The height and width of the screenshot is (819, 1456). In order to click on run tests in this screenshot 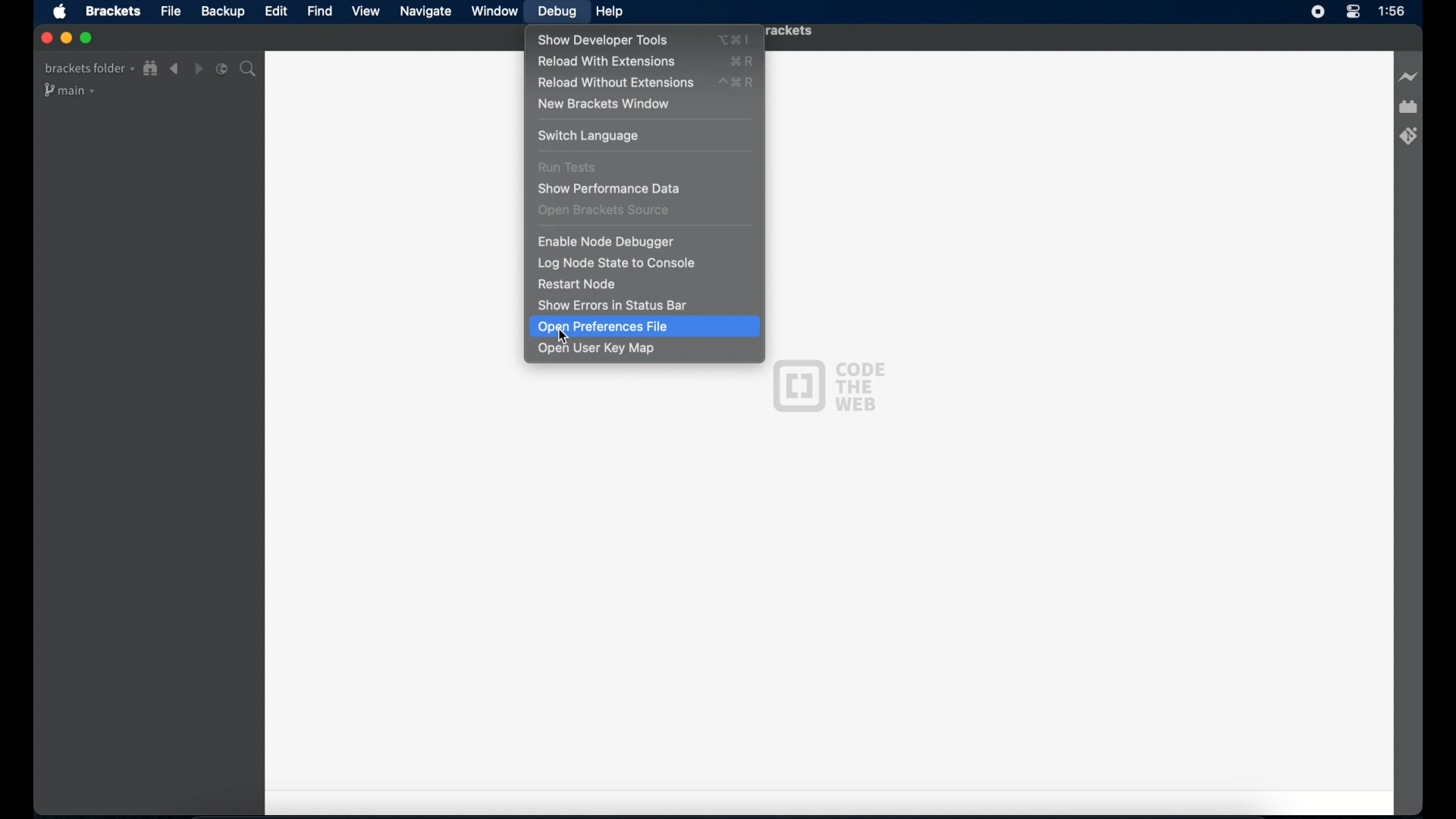, I will do `click(569, 168)`.